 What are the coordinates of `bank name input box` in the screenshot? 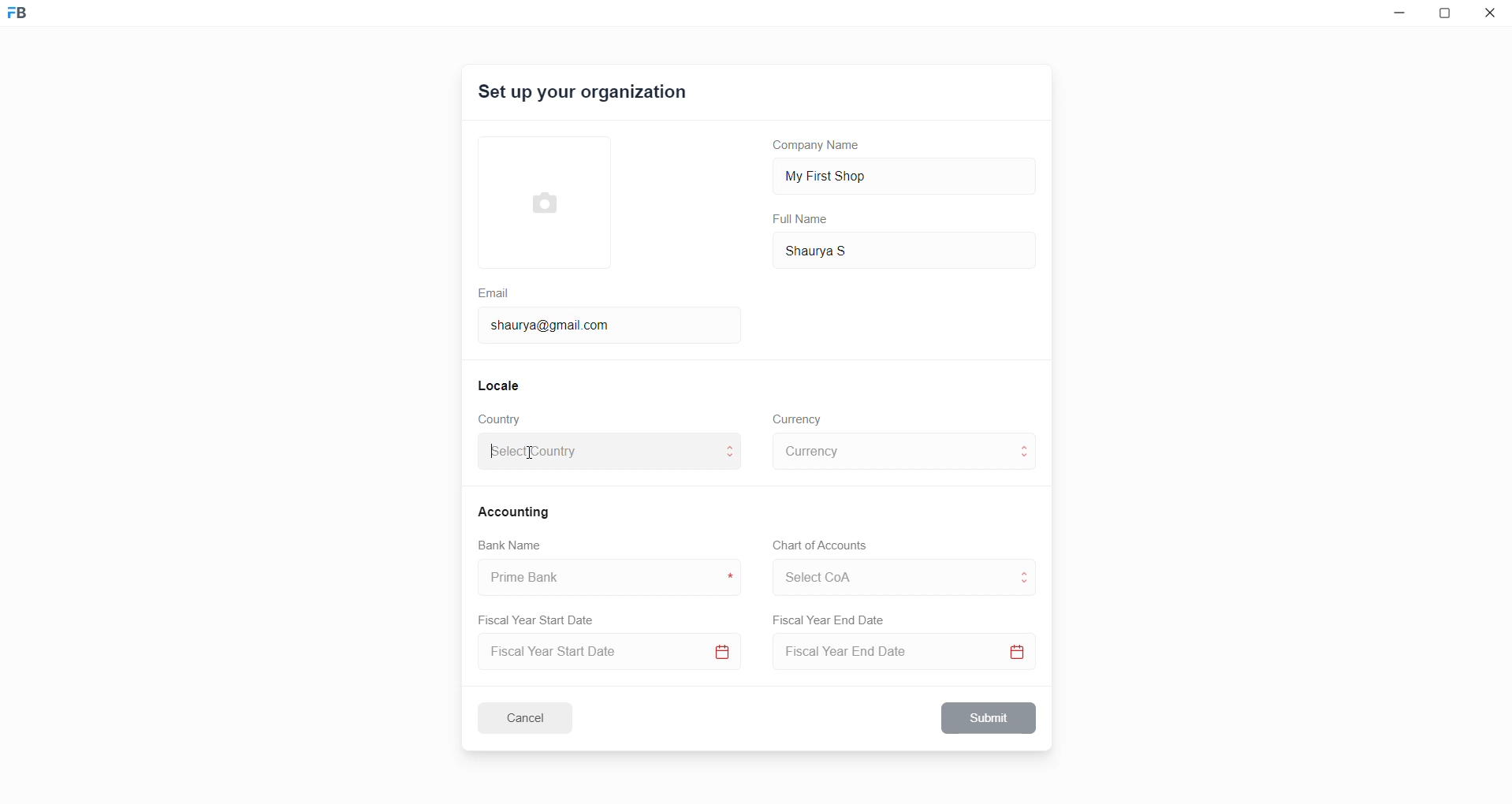 It's located at (603, 578).